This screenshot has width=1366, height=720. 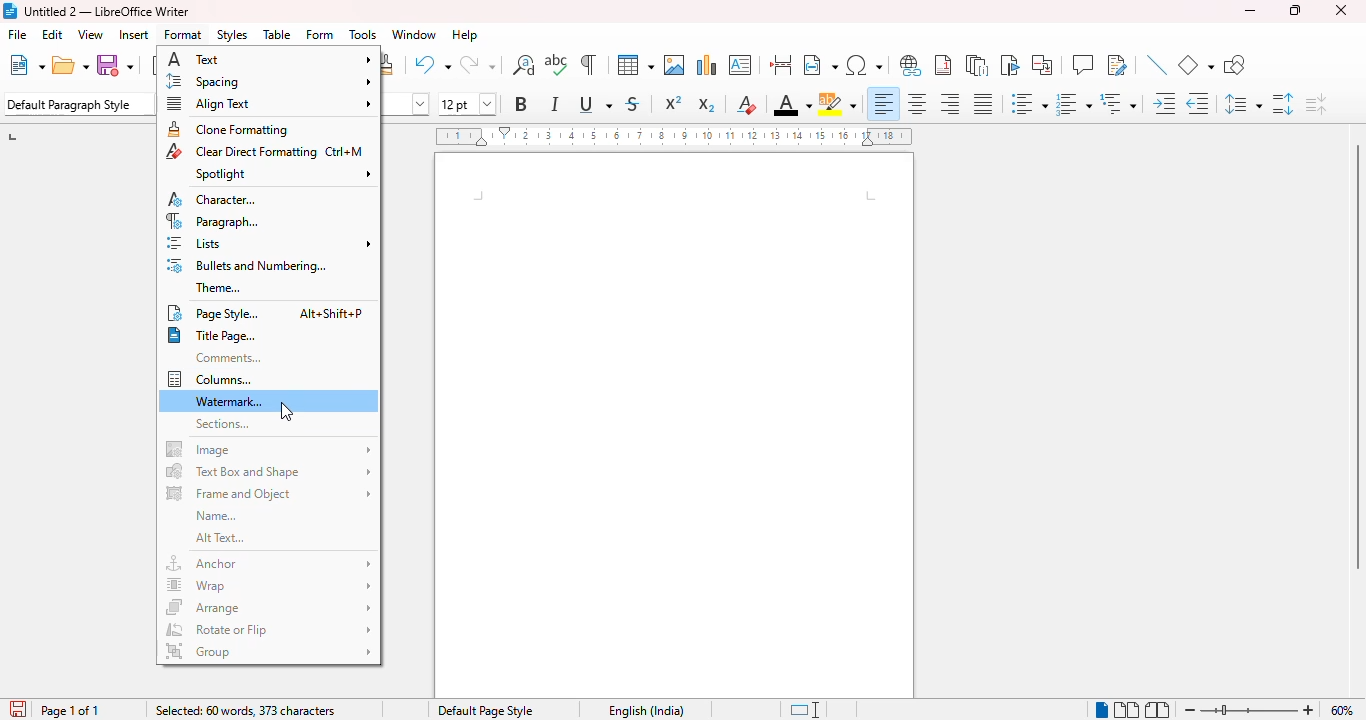 What do you see at coordinates (1157, 64) in the screenshot?
I see `insert line` at bounding box center [1157, 64].